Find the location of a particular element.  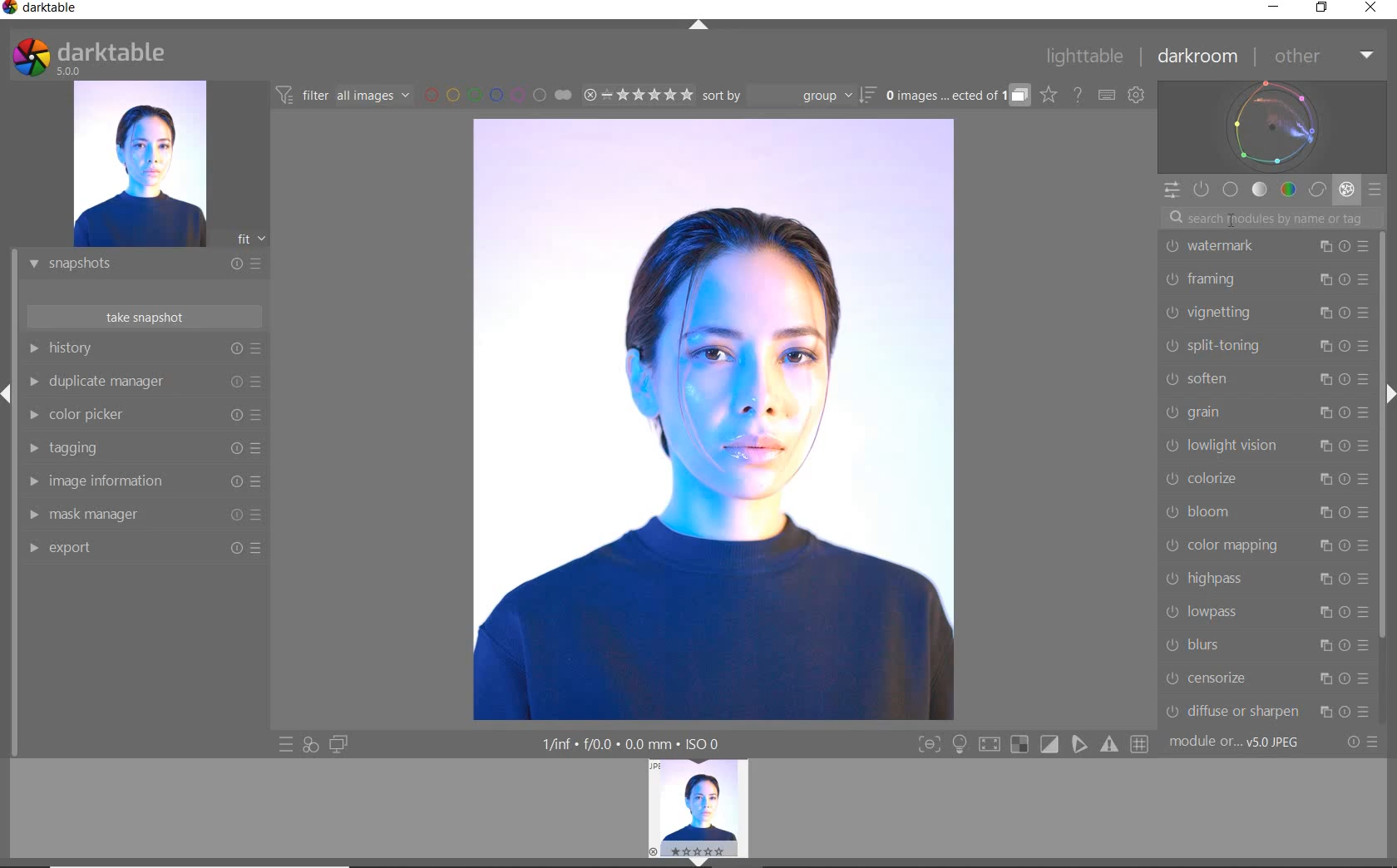

SORT is located at coordinates (787, 95).